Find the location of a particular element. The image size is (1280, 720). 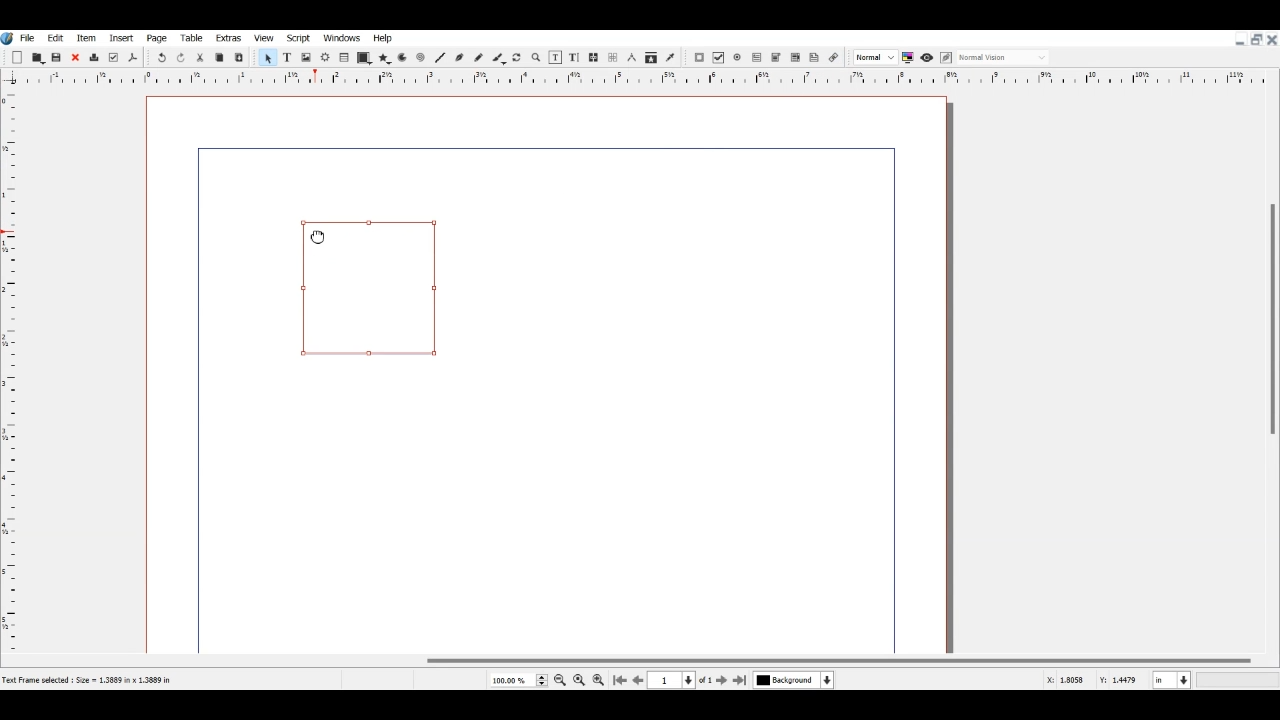

Preview mode is located at coordinates (926, 57).